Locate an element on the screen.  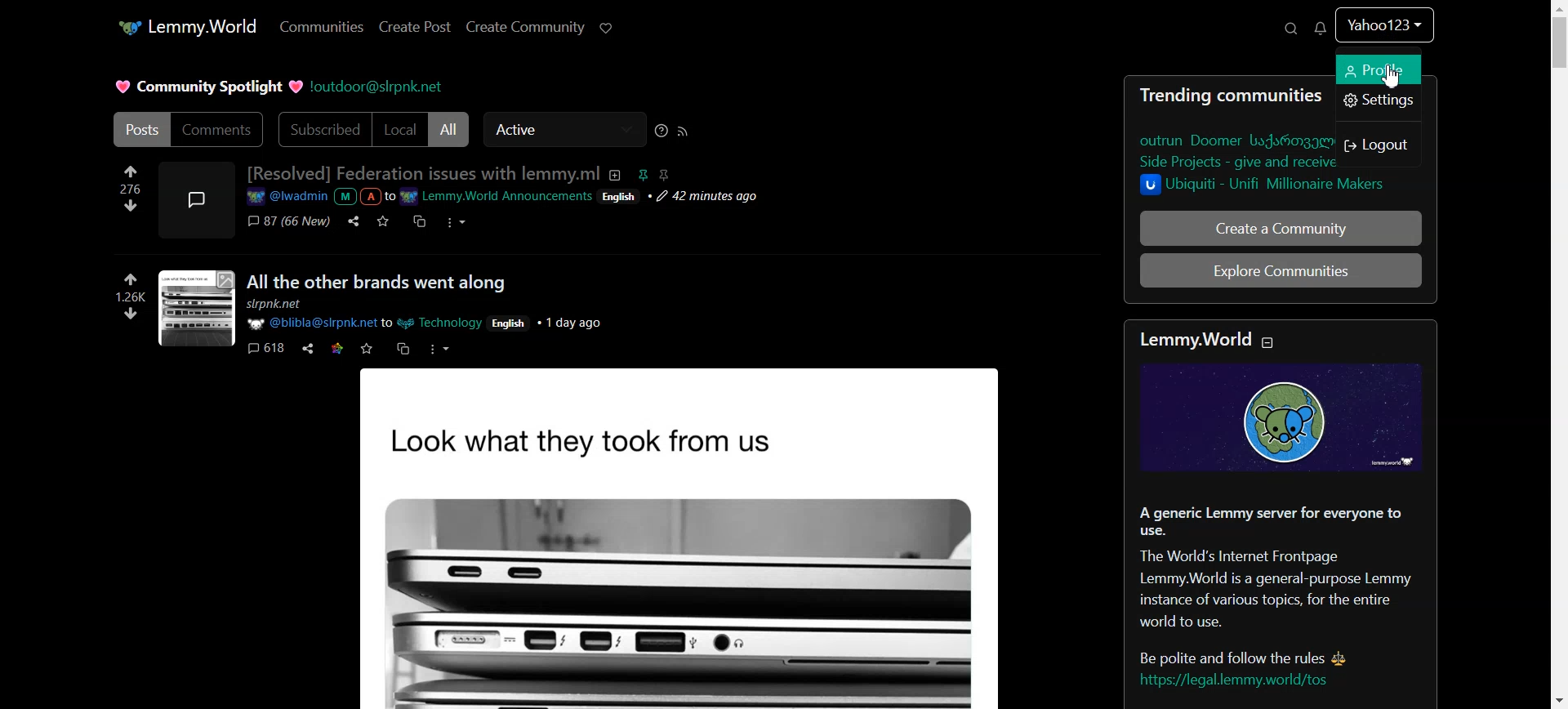
Search is located at coordinates (1289, 28).